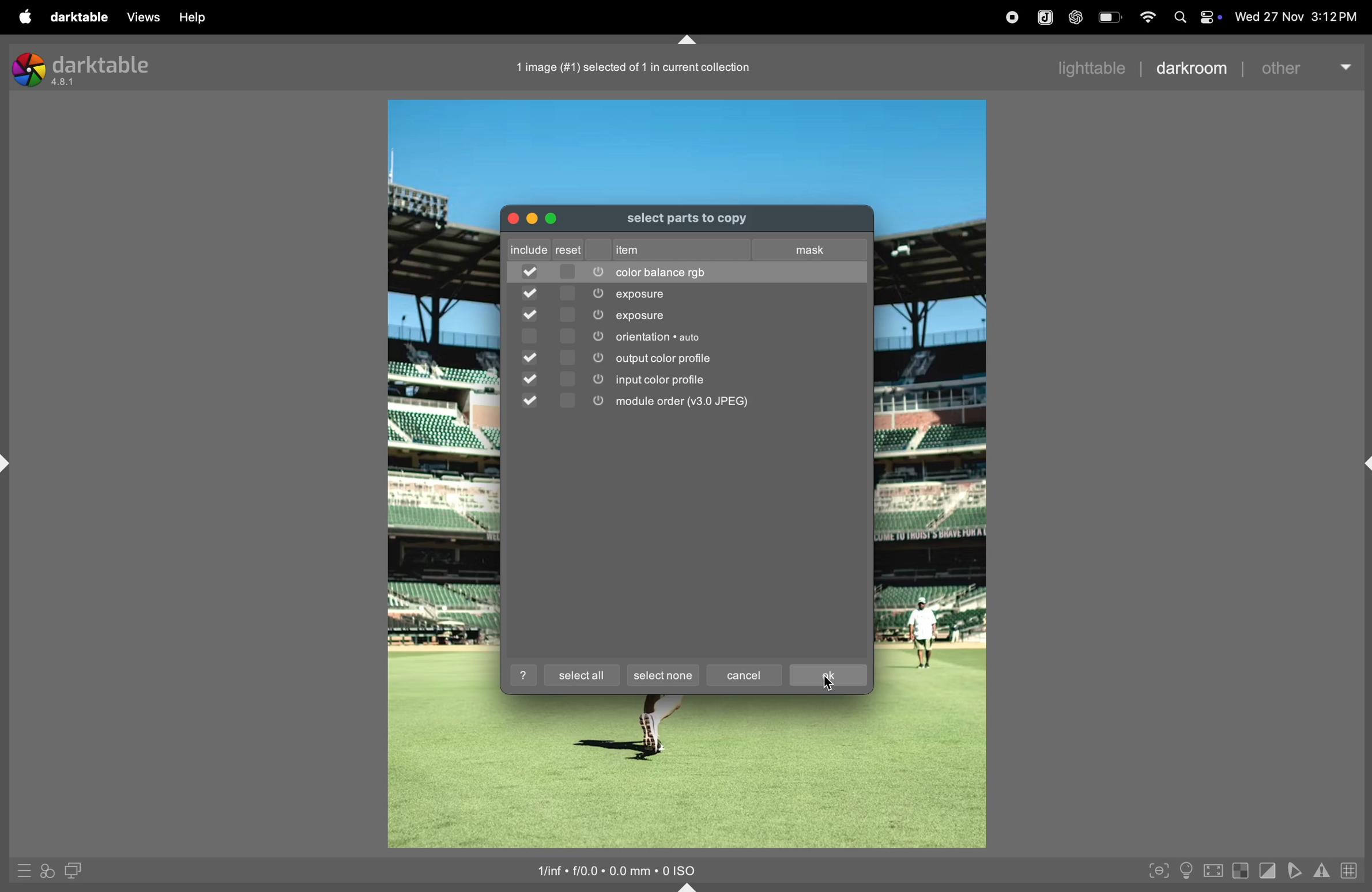  What do you see at coordinates (710, 336) in the screenshot?
I see `orientation` at bounding box center [710, 336].